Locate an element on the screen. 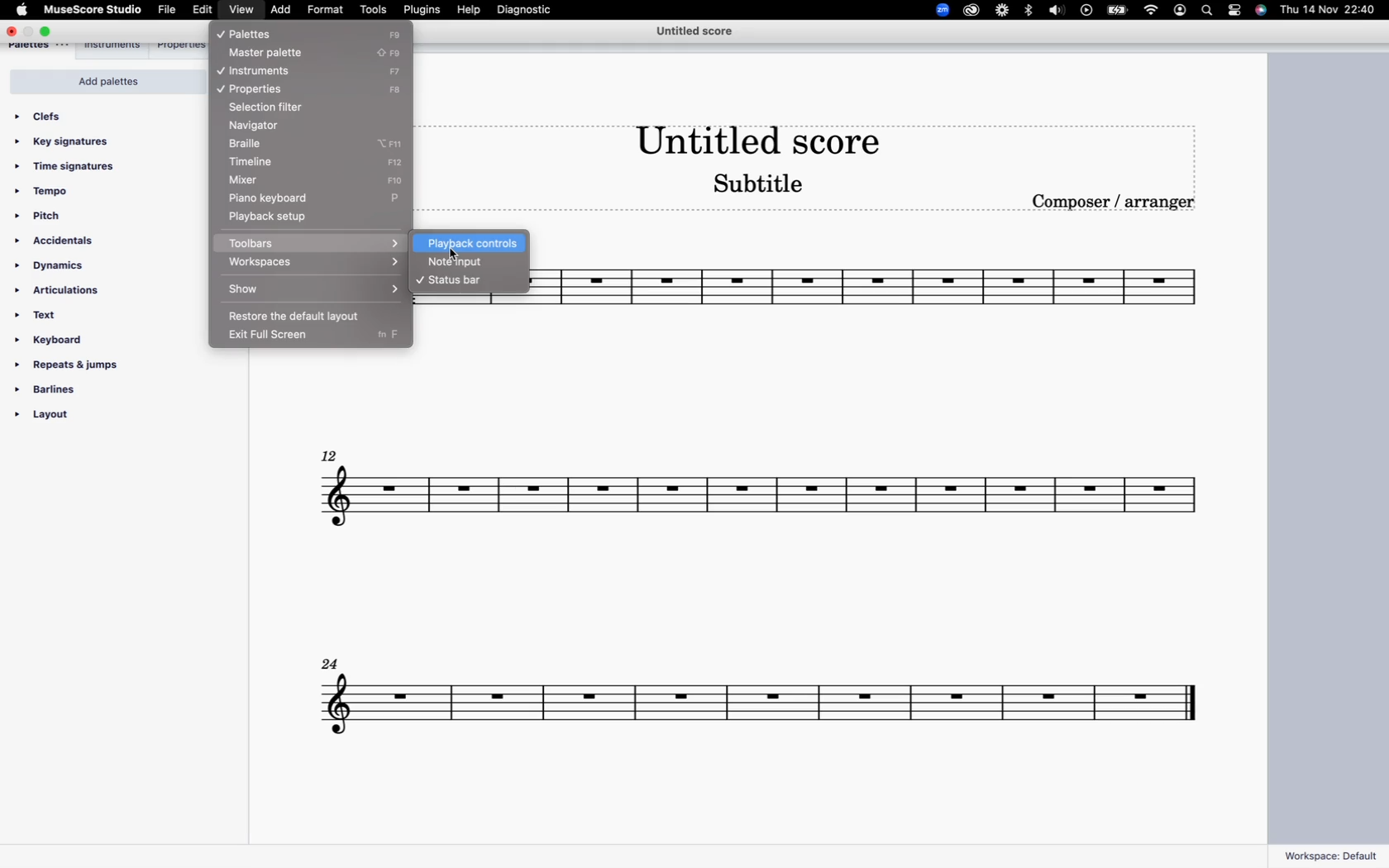  close is located at coordinates (11, 31).